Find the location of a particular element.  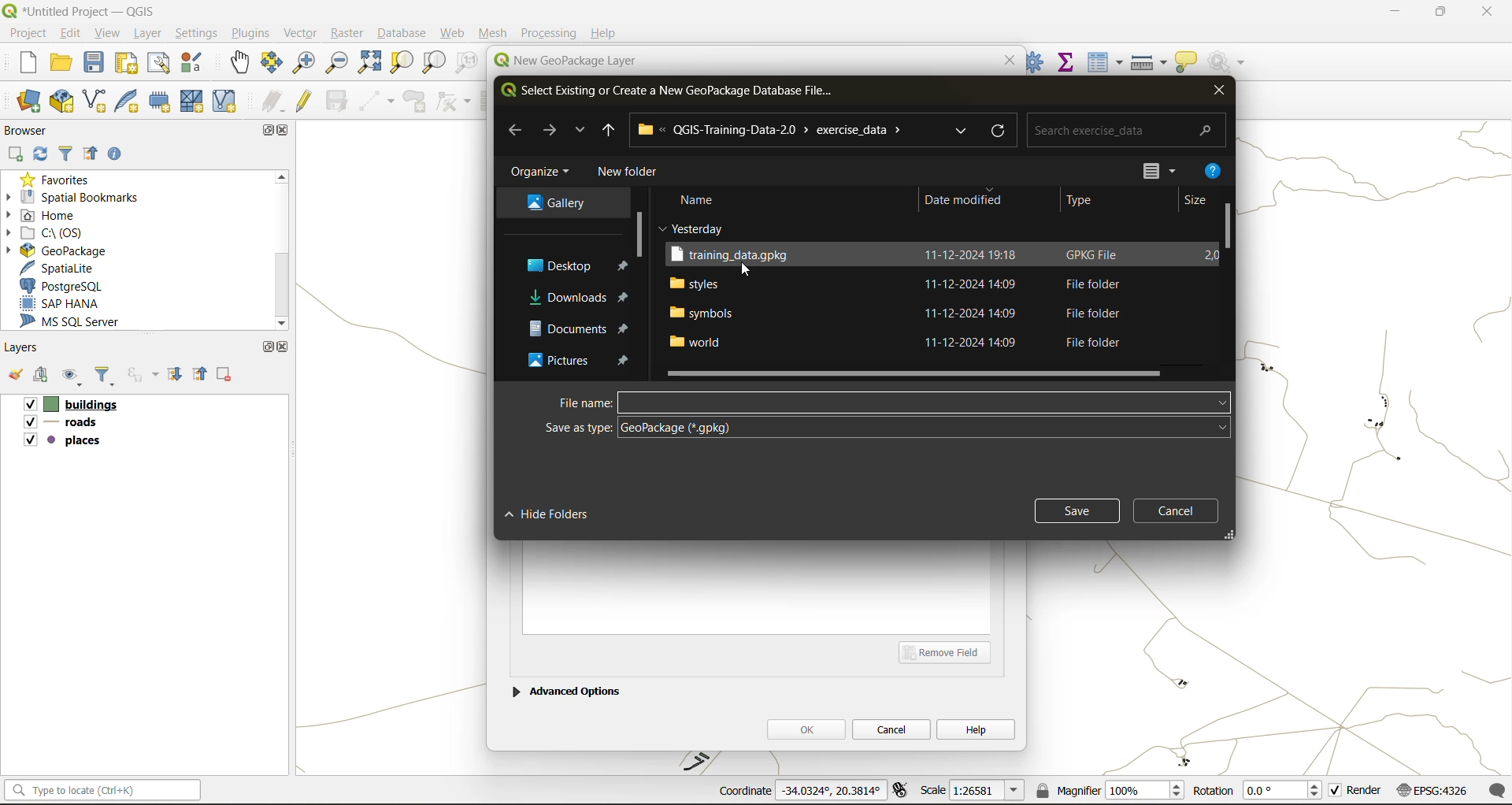

back is located at coordinates (517, 129).